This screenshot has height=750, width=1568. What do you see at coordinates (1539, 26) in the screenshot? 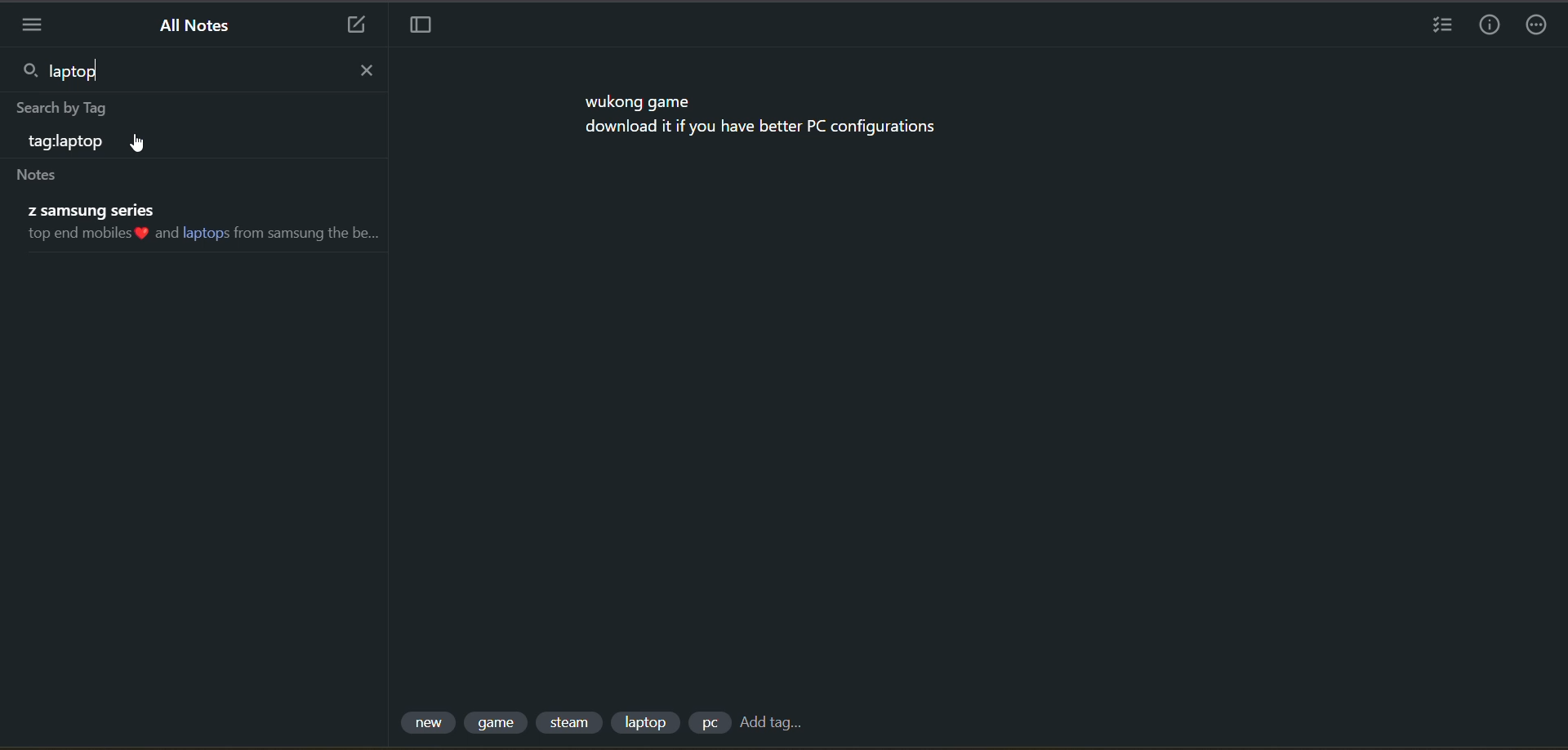
I see `actions` at bounding box center [1539, 26].